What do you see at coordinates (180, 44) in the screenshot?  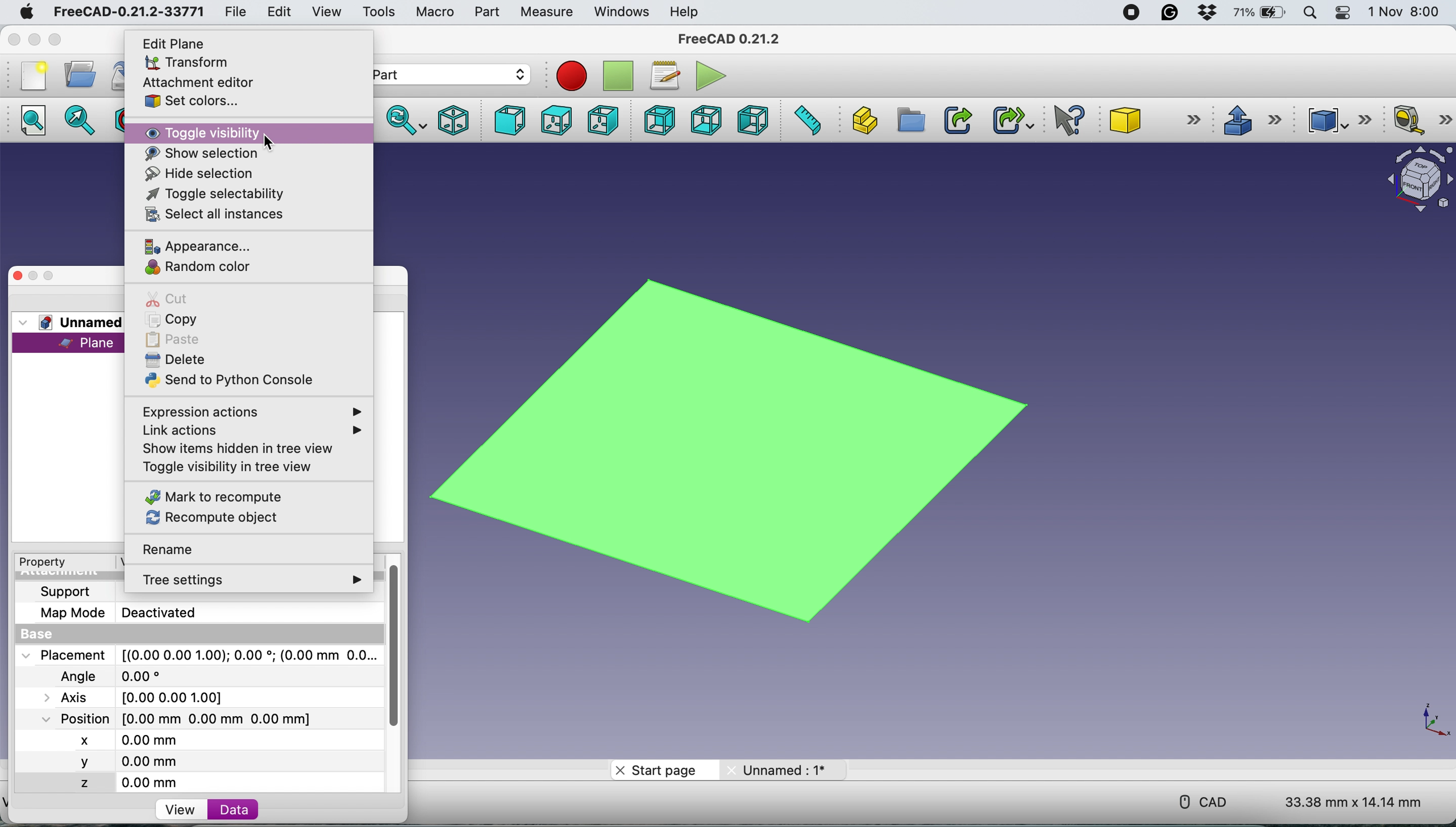 I see `edit plane` at bounding box center [180, 44].